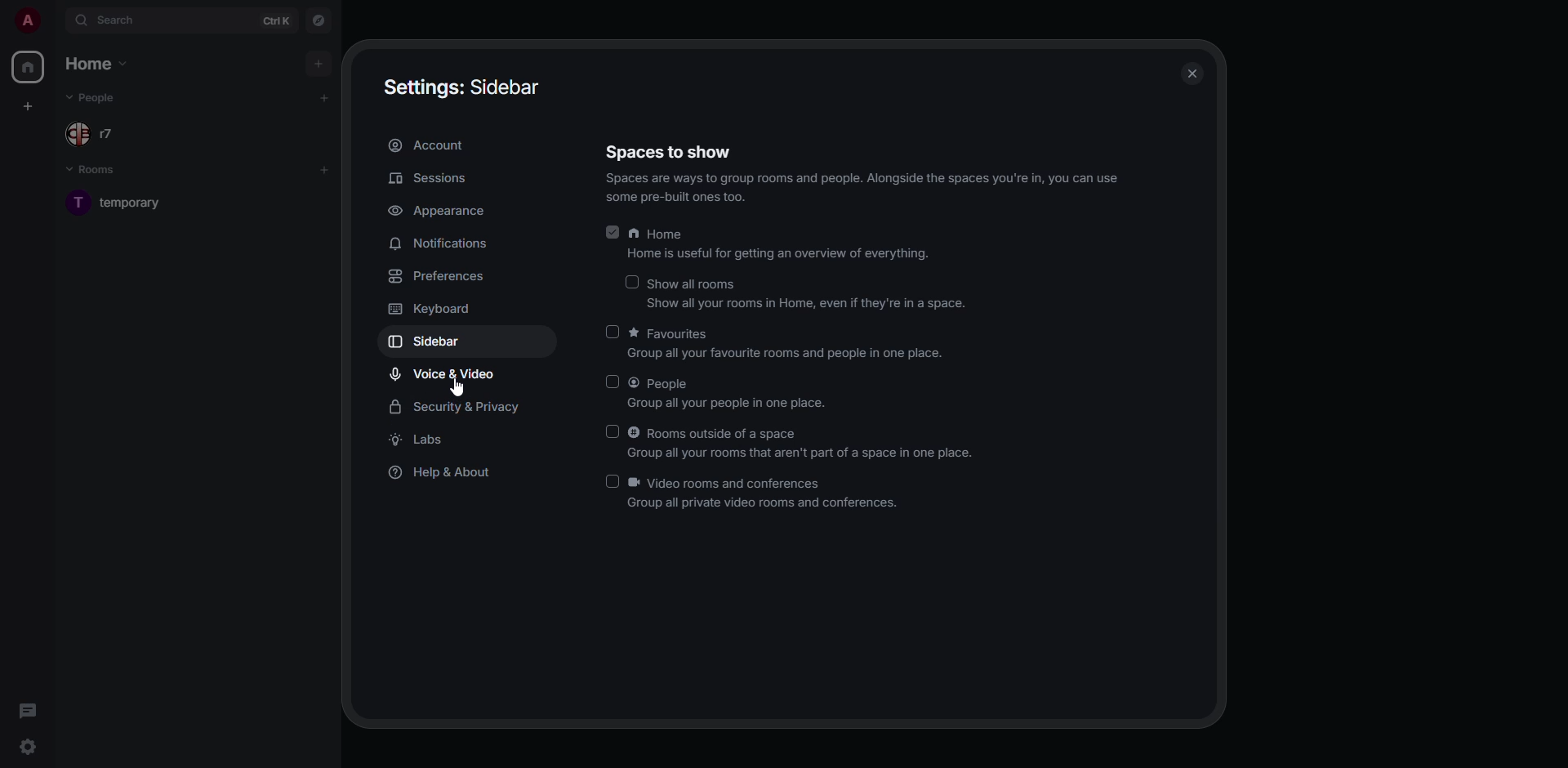  Describe the element at coordinates (733, 391) in the screenshot. I see `people` at that location.